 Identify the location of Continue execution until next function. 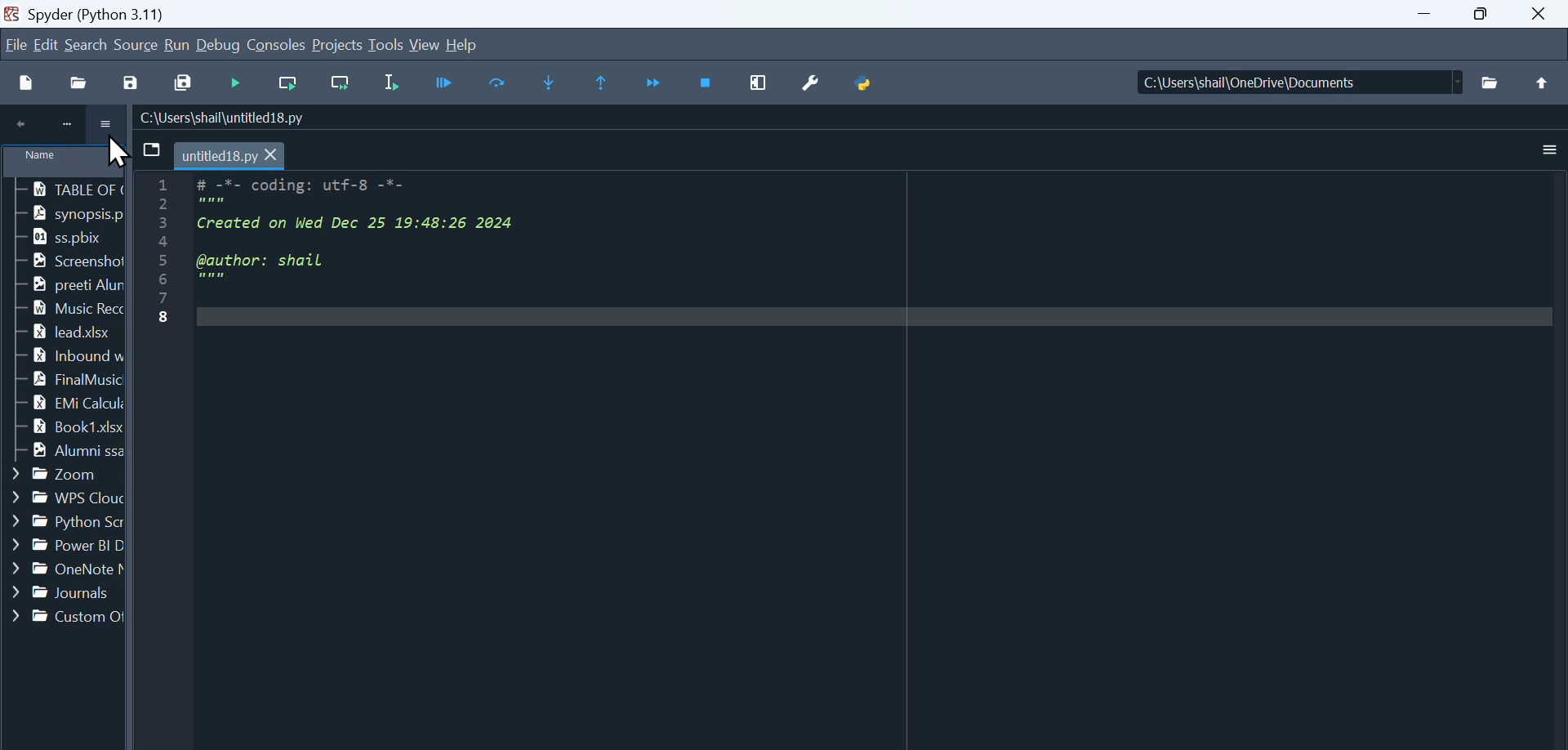
(655, 84).